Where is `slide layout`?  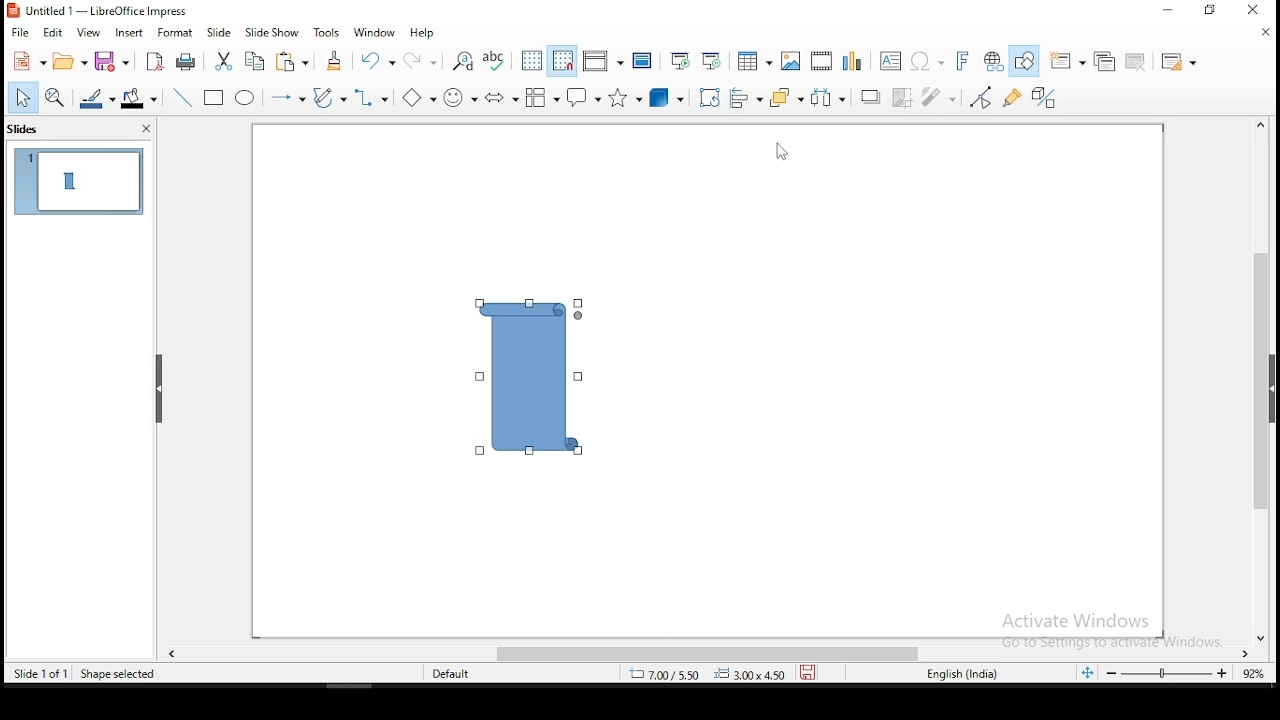 slide layout is located at coordinates (1181, 62).